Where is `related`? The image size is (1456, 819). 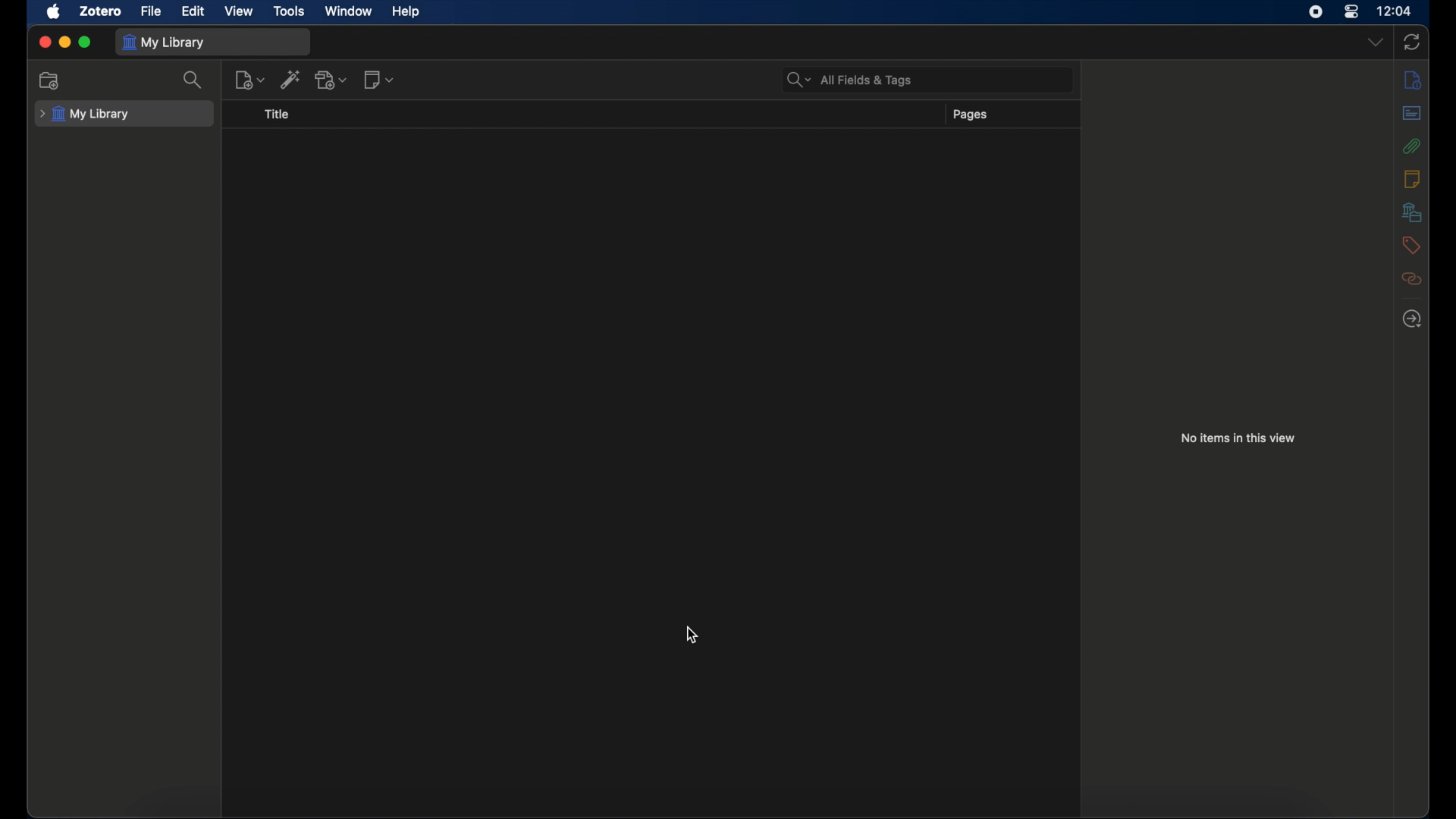 related is located at coordinates (1412, 279).